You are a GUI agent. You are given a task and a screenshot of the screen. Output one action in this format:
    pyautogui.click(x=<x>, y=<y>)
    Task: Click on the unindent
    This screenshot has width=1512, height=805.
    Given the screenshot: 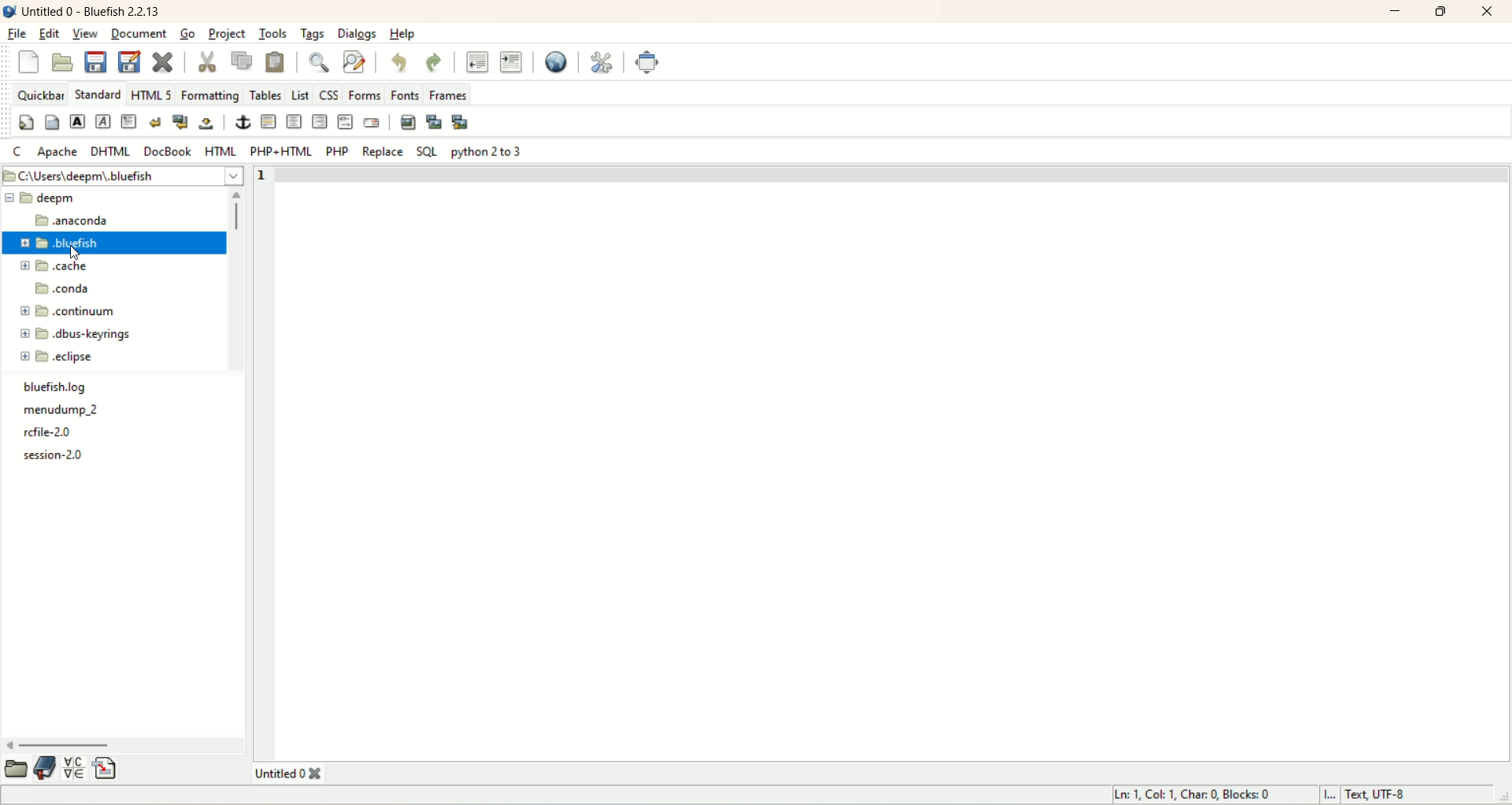 What is the action you would take?
    pyautogui.click(x=479, y=61)
    